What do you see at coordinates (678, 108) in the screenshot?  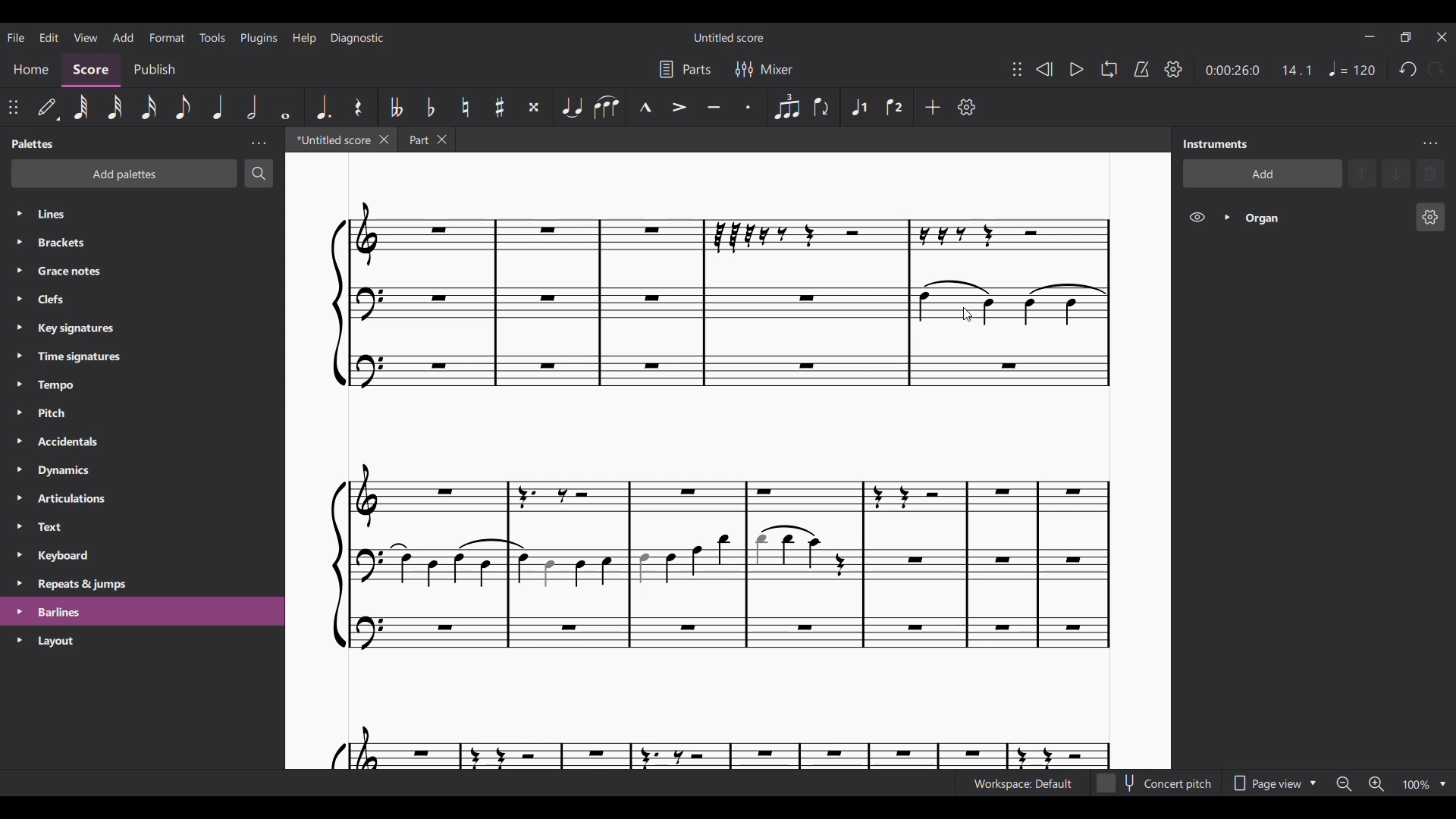 I see `Accent` at bounding box center [678, 108].